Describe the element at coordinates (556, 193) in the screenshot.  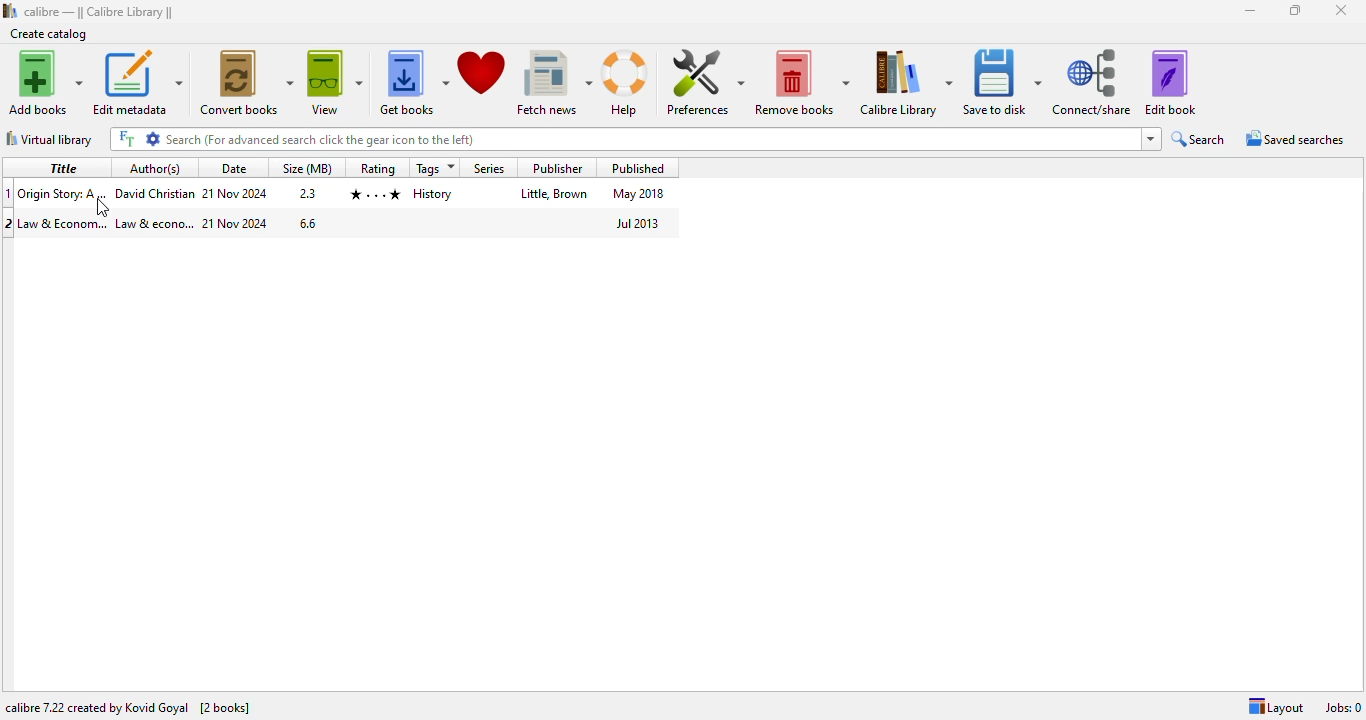
I see `publisher` at that location.